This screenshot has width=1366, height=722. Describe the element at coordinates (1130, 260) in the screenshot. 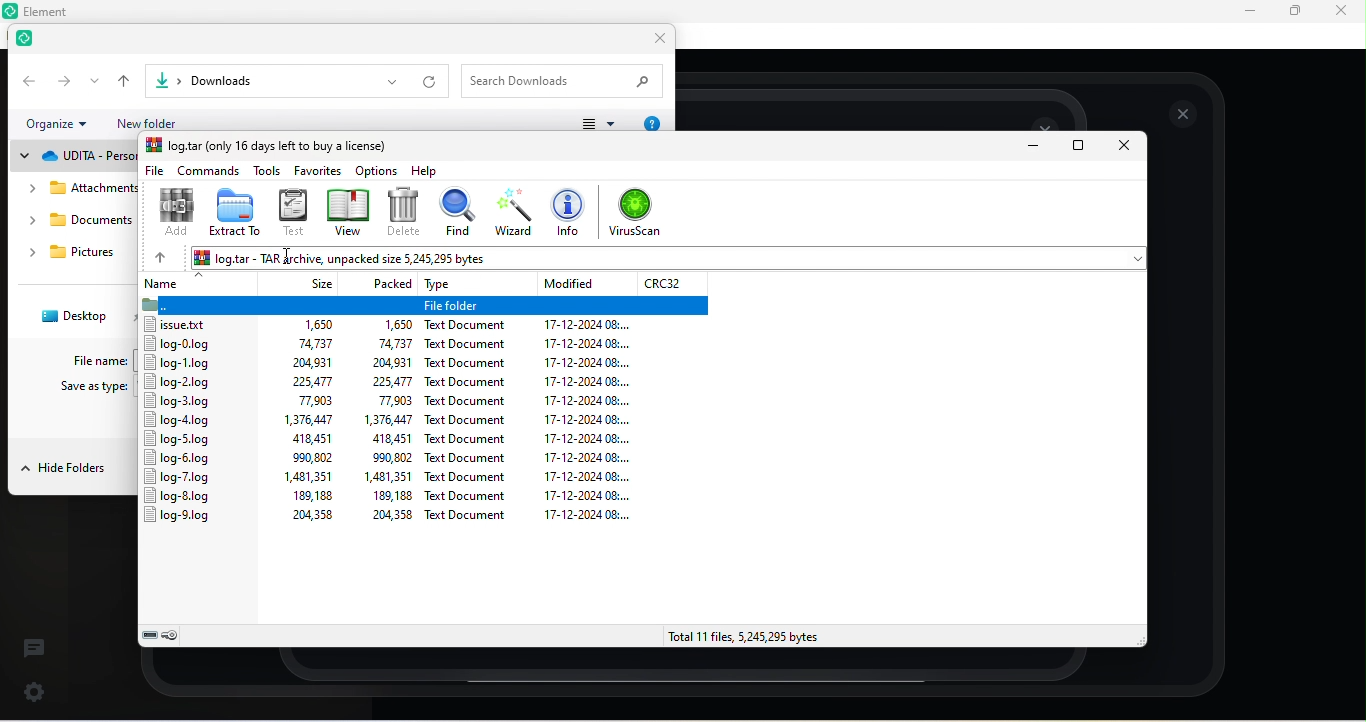

I see `drop down` at that location.